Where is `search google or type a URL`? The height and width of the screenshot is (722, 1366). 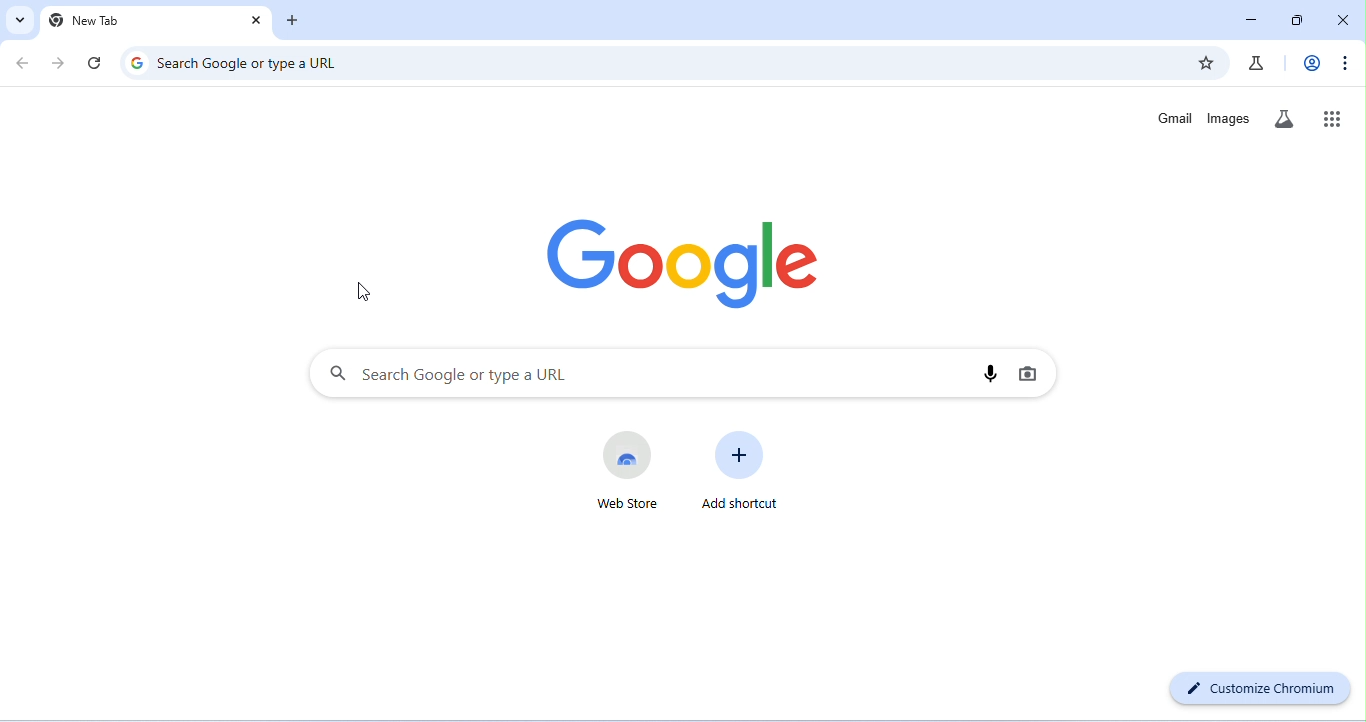
search google or type a URL is located at coordinates (234, 63).